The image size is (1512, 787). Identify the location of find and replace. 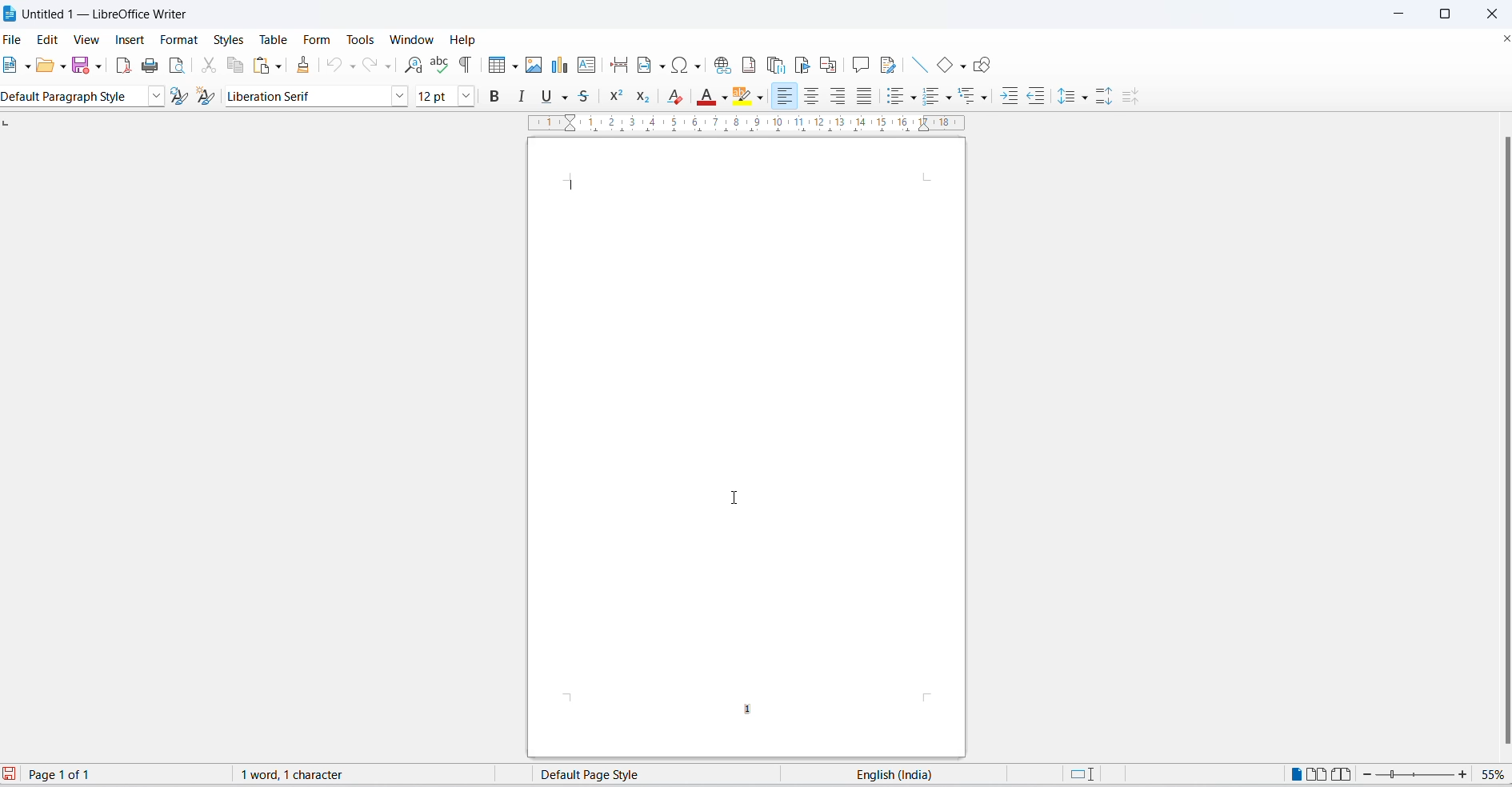
(414, 66).